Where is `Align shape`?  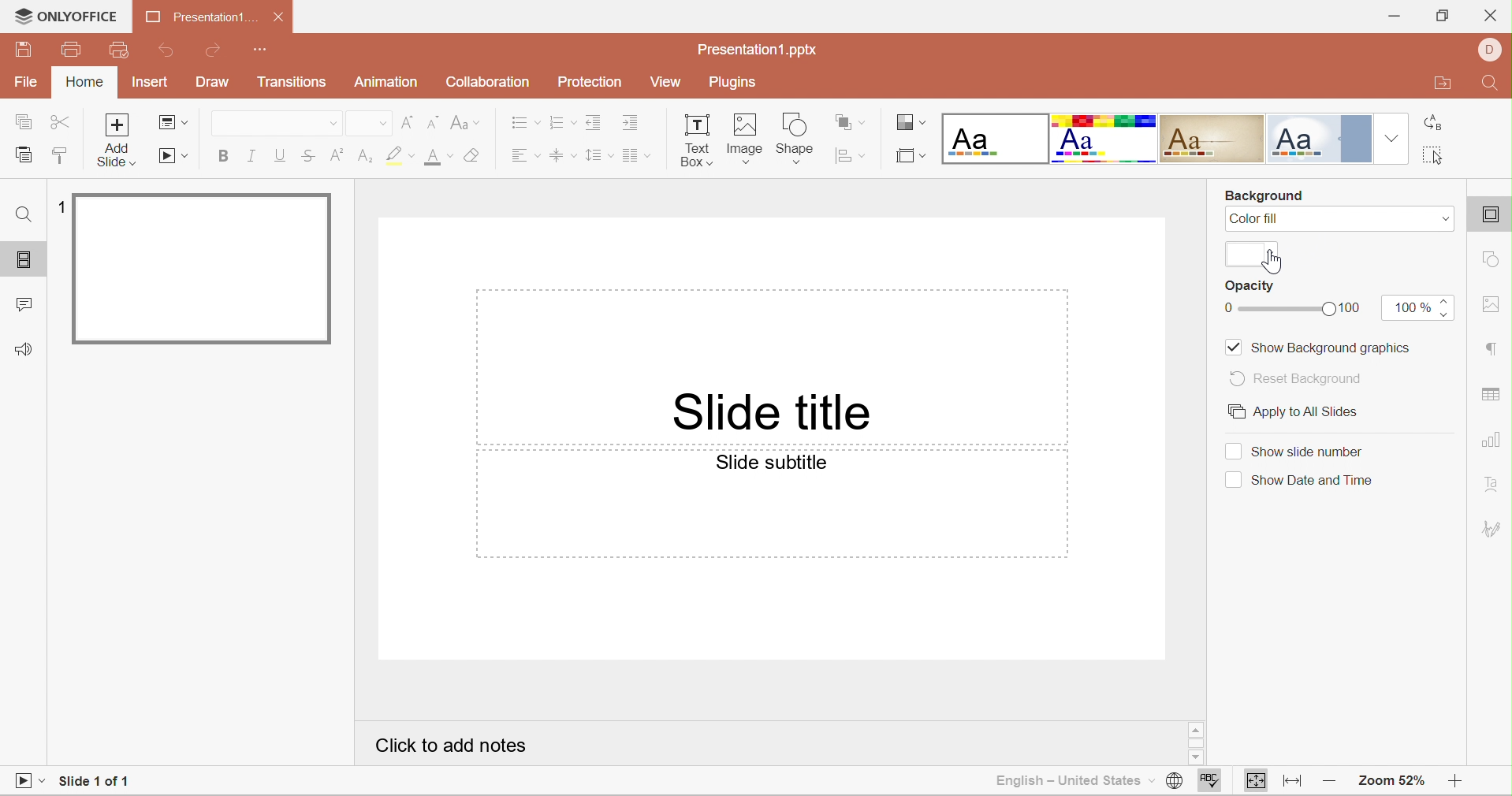
Align shape is located at coordinates (850, 154).